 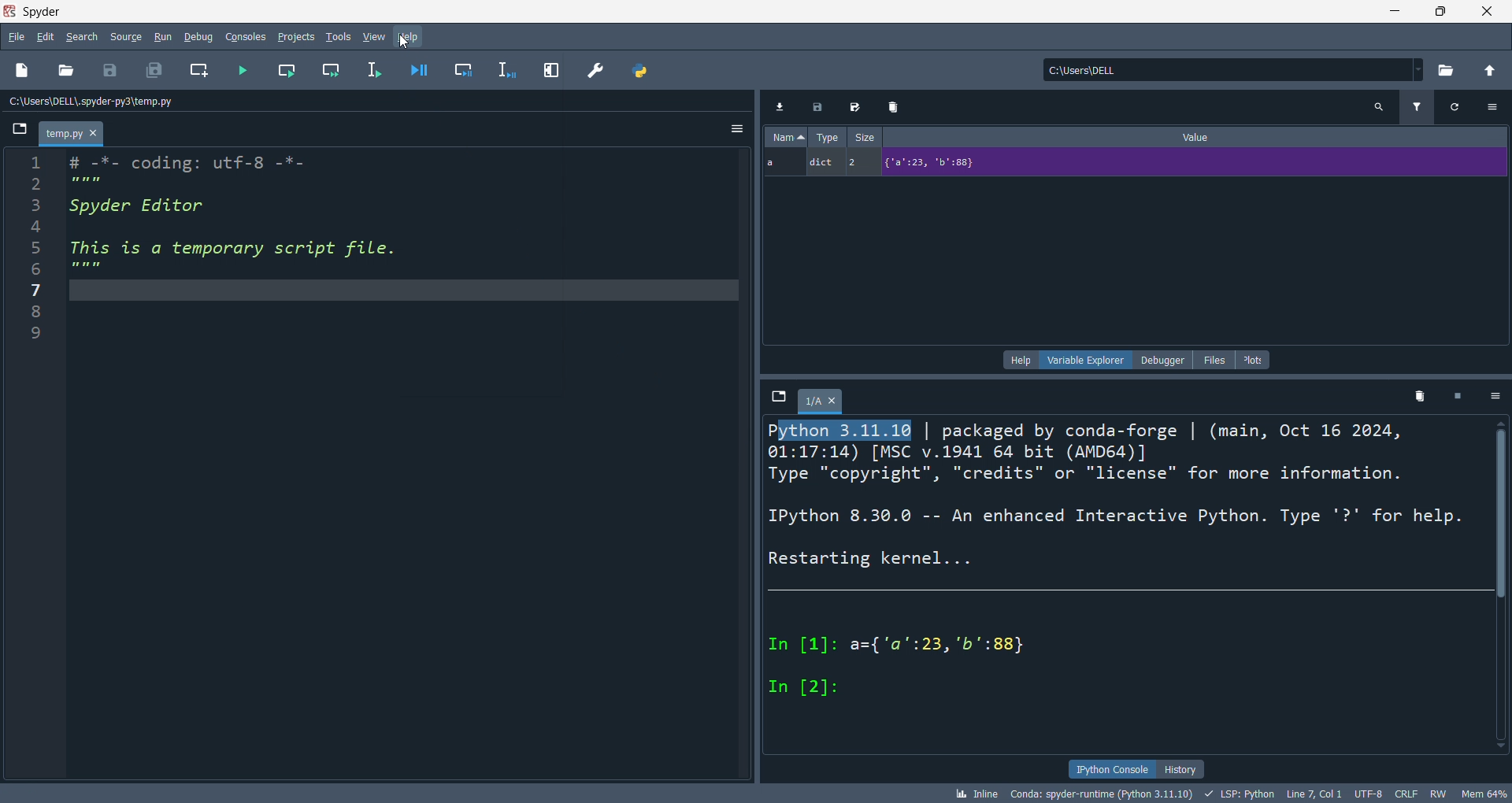 I want to click on search, so click(x=83, y=37).